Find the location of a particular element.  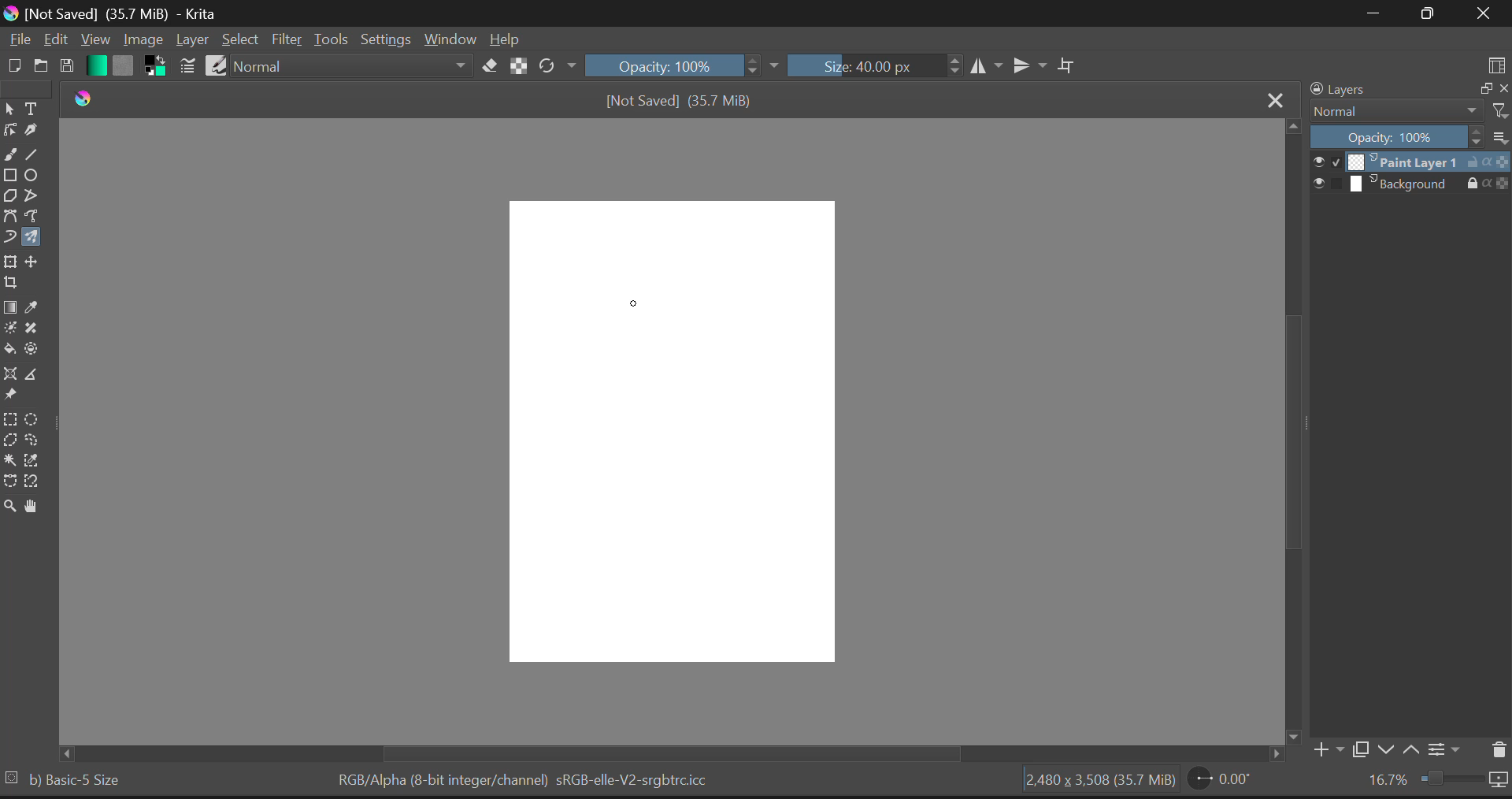

Edit is located at coordinates (55, 40).